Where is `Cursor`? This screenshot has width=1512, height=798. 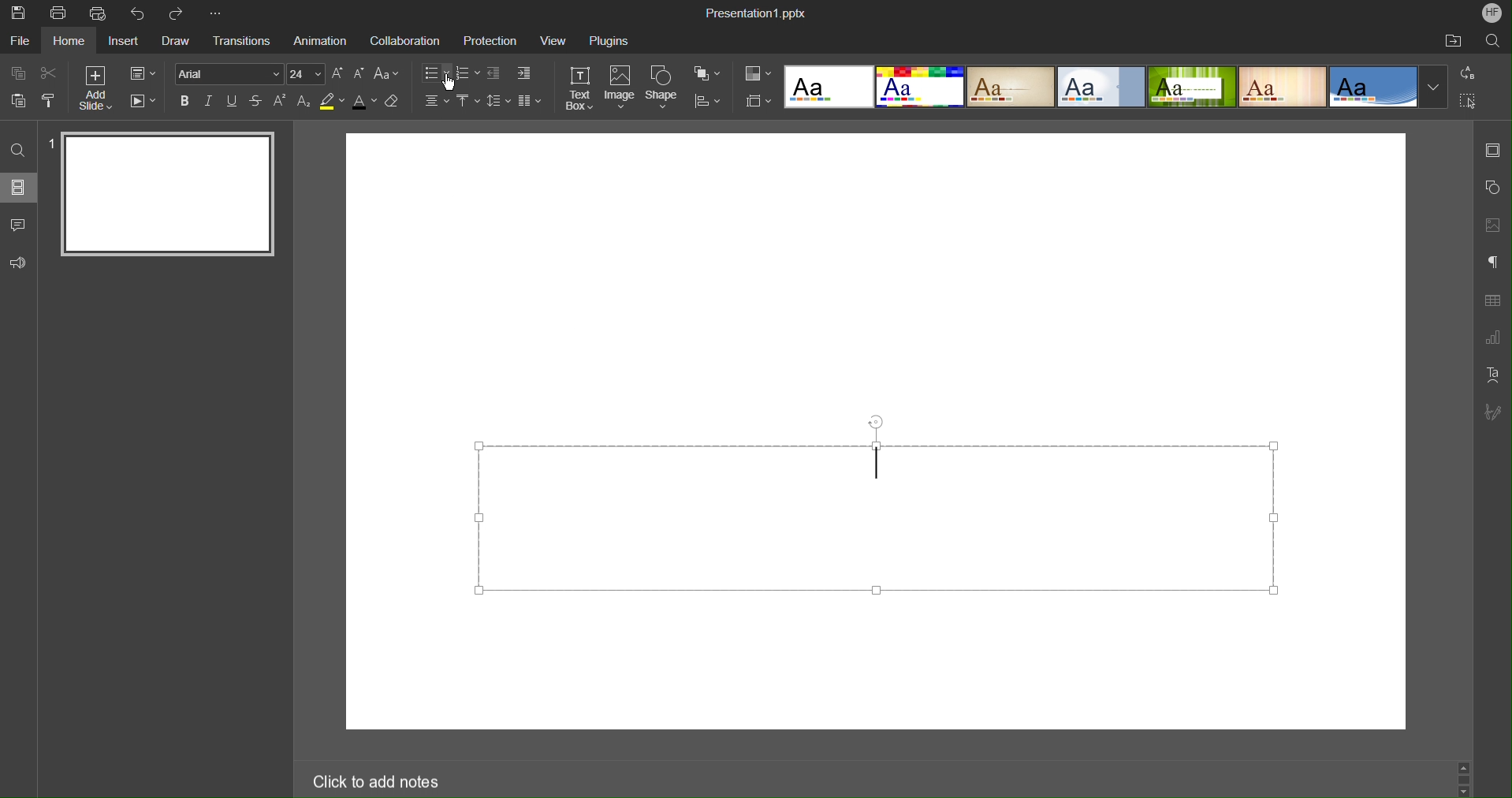
Cursor is located at coordinates (449, 82).